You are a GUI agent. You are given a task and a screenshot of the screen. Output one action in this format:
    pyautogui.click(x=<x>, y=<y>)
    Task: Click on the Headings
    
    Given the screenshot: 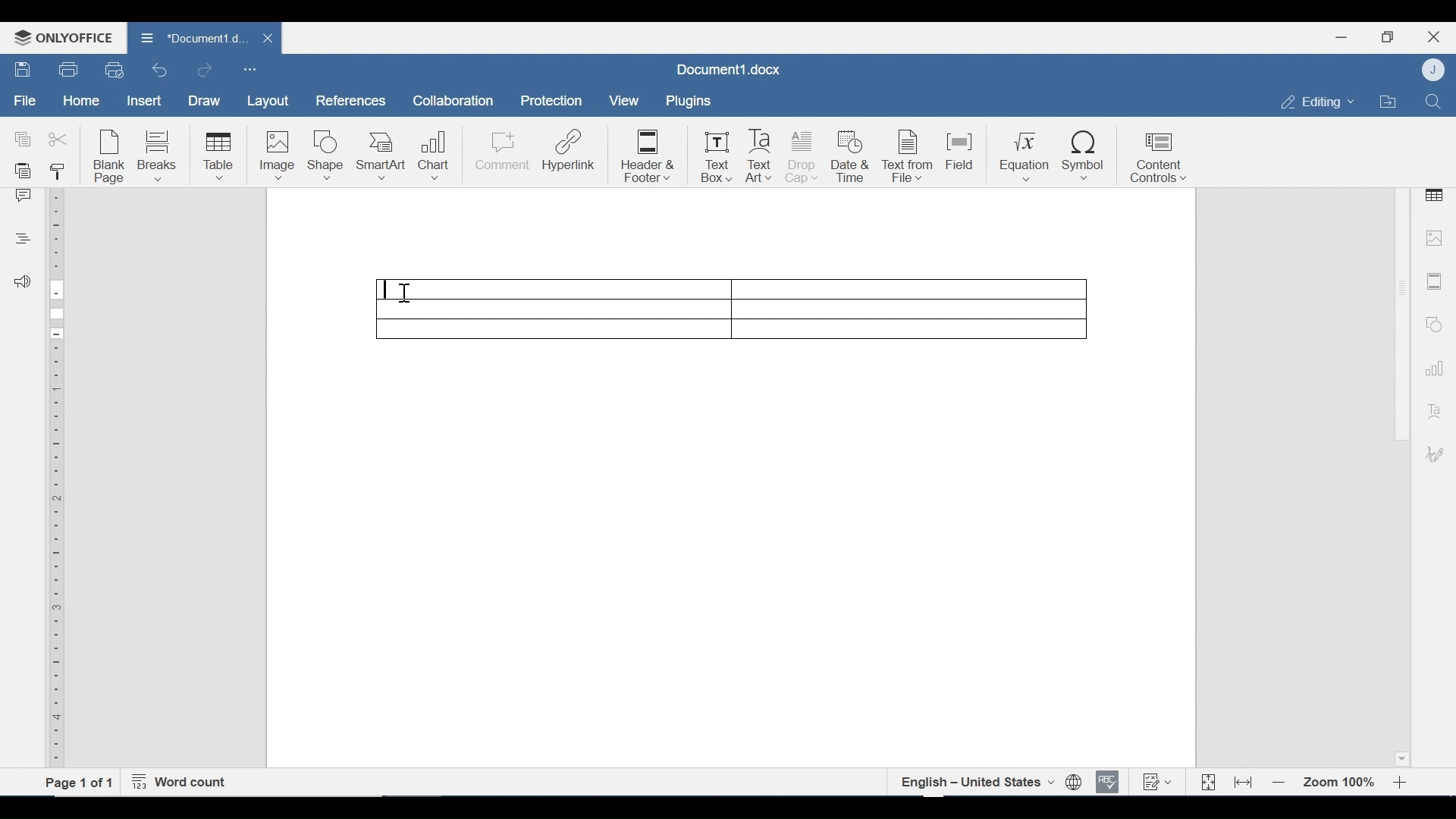 What is the action you would take?
    pyautogui.click(x=22, y=237)
    